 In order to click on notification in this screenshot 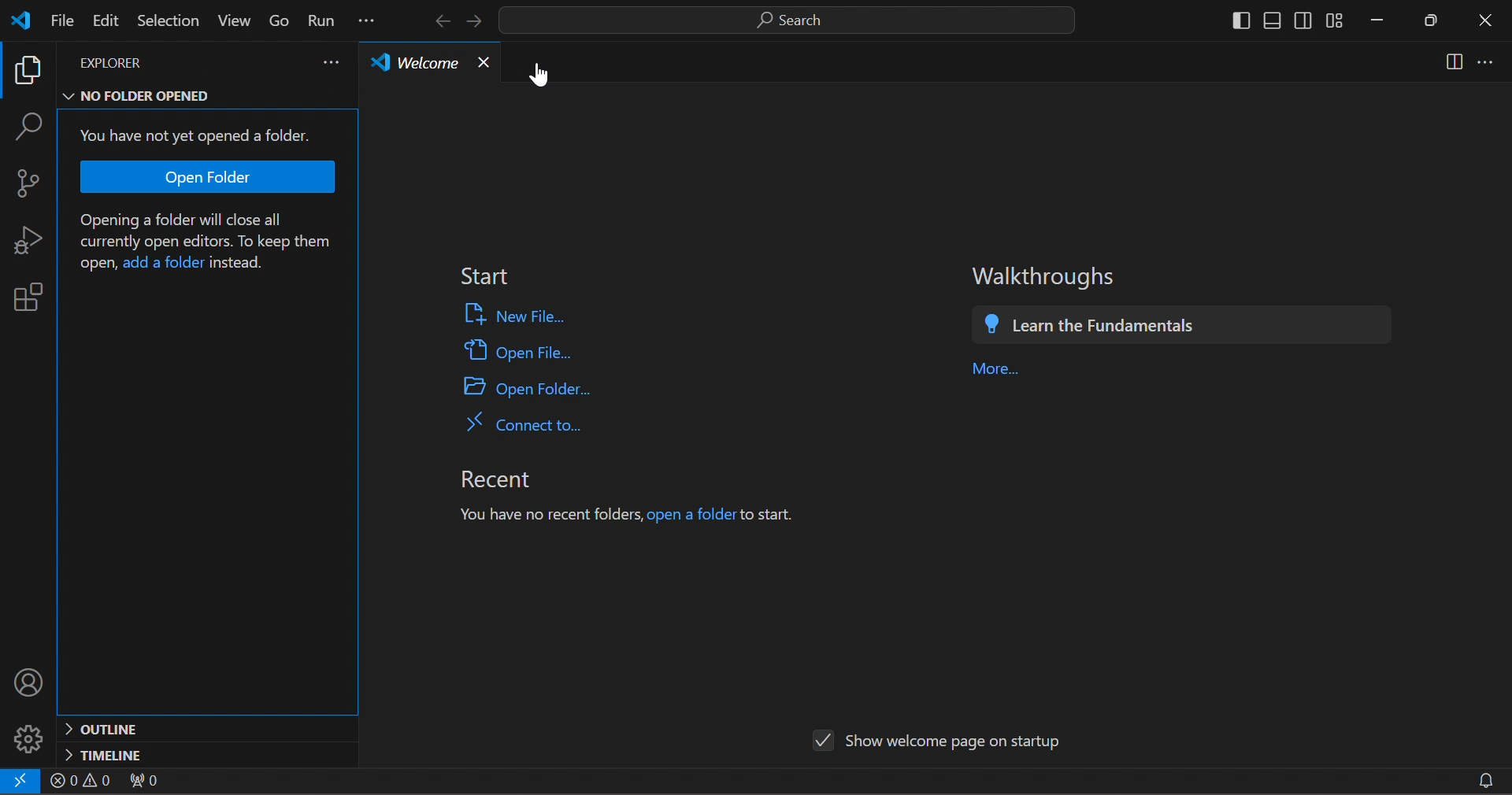, I will do `click(1489, 775)`.